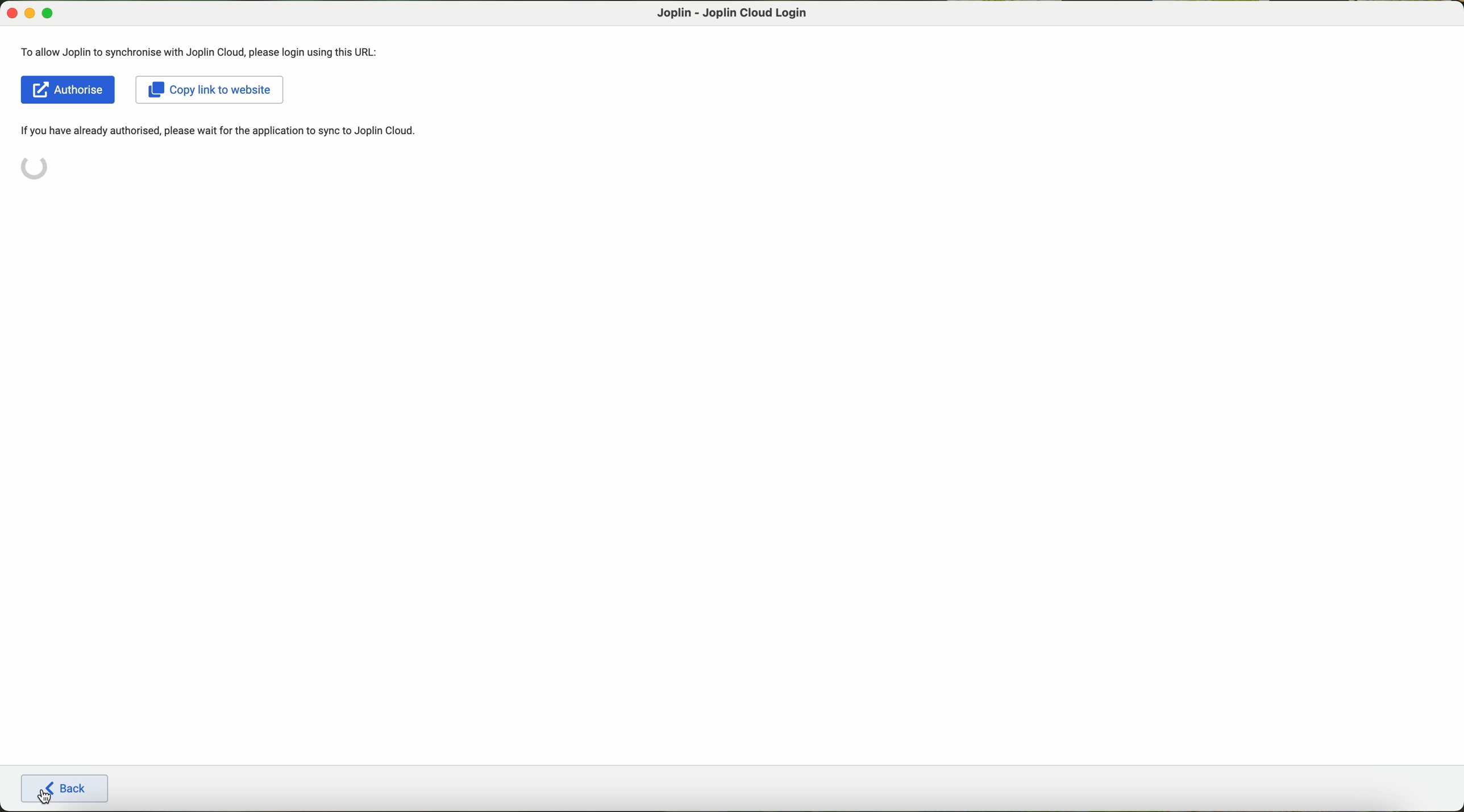  Describe the element at coordinates (48, 14) in the screenshot. I see `maximize Joplin` at that location.